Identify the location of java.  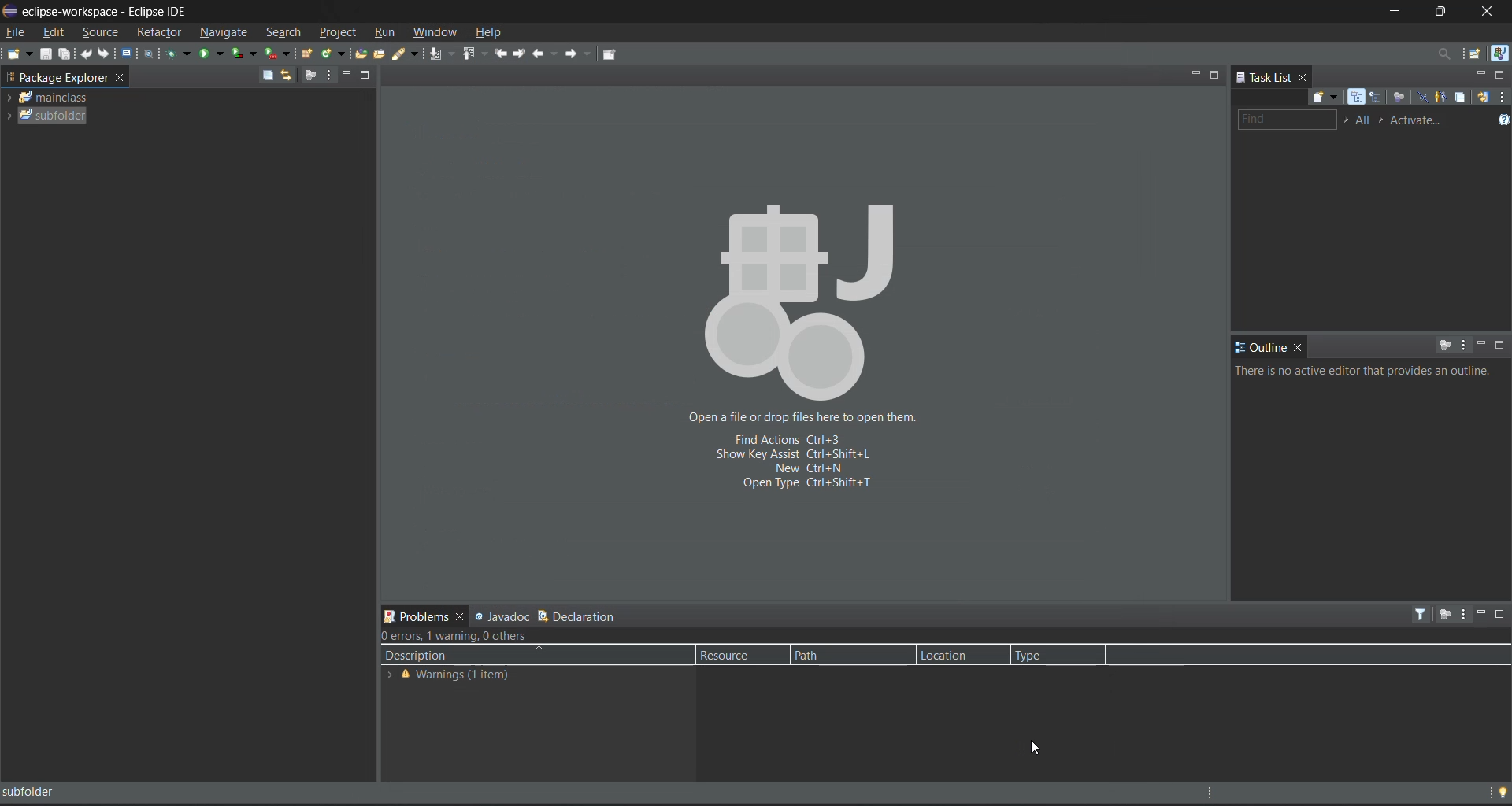
(1499, 54).